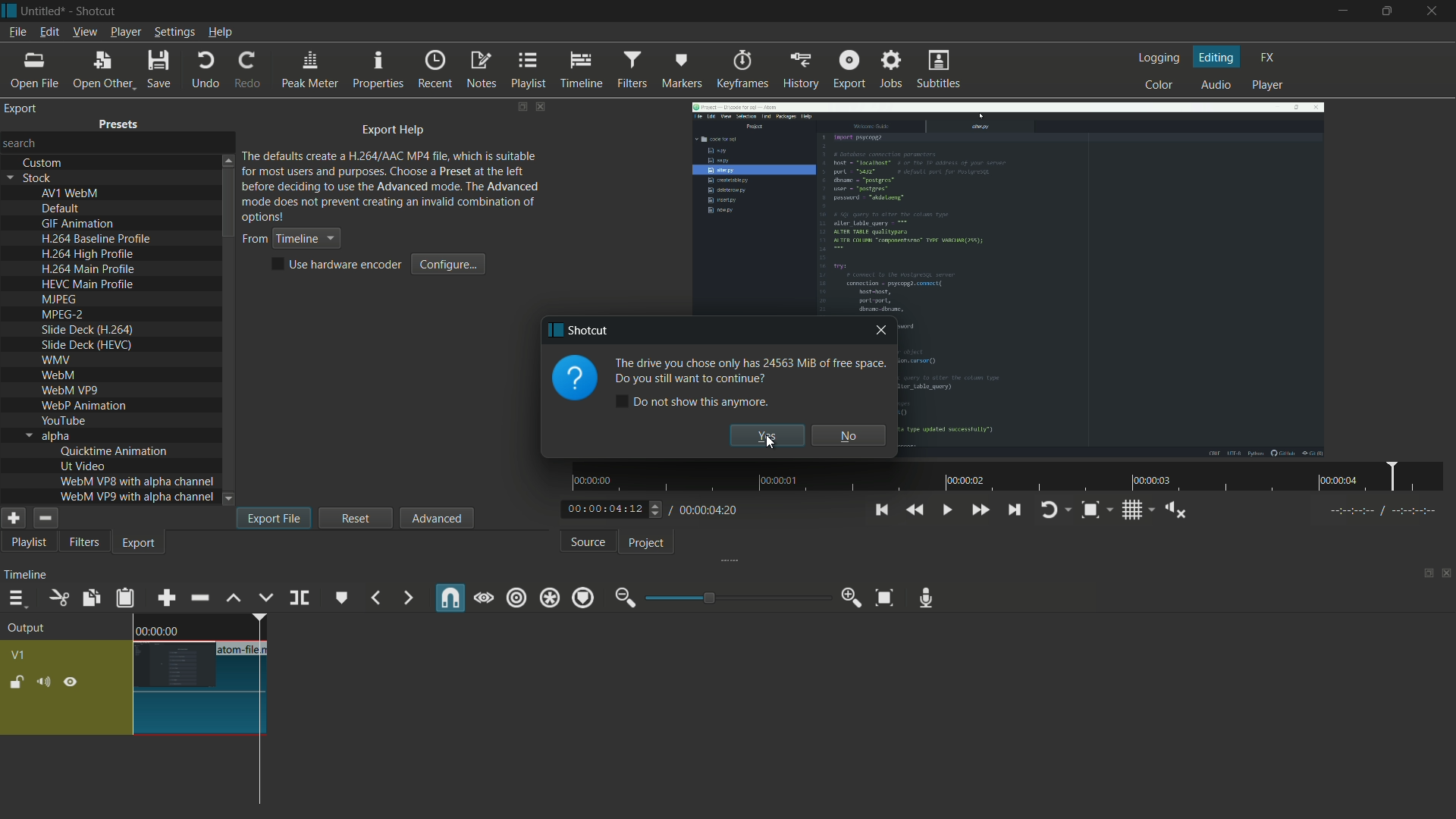  What do you see at coordinates (58, 598) in the screenshot?
I see `cut` at bounding box center [58, 598].